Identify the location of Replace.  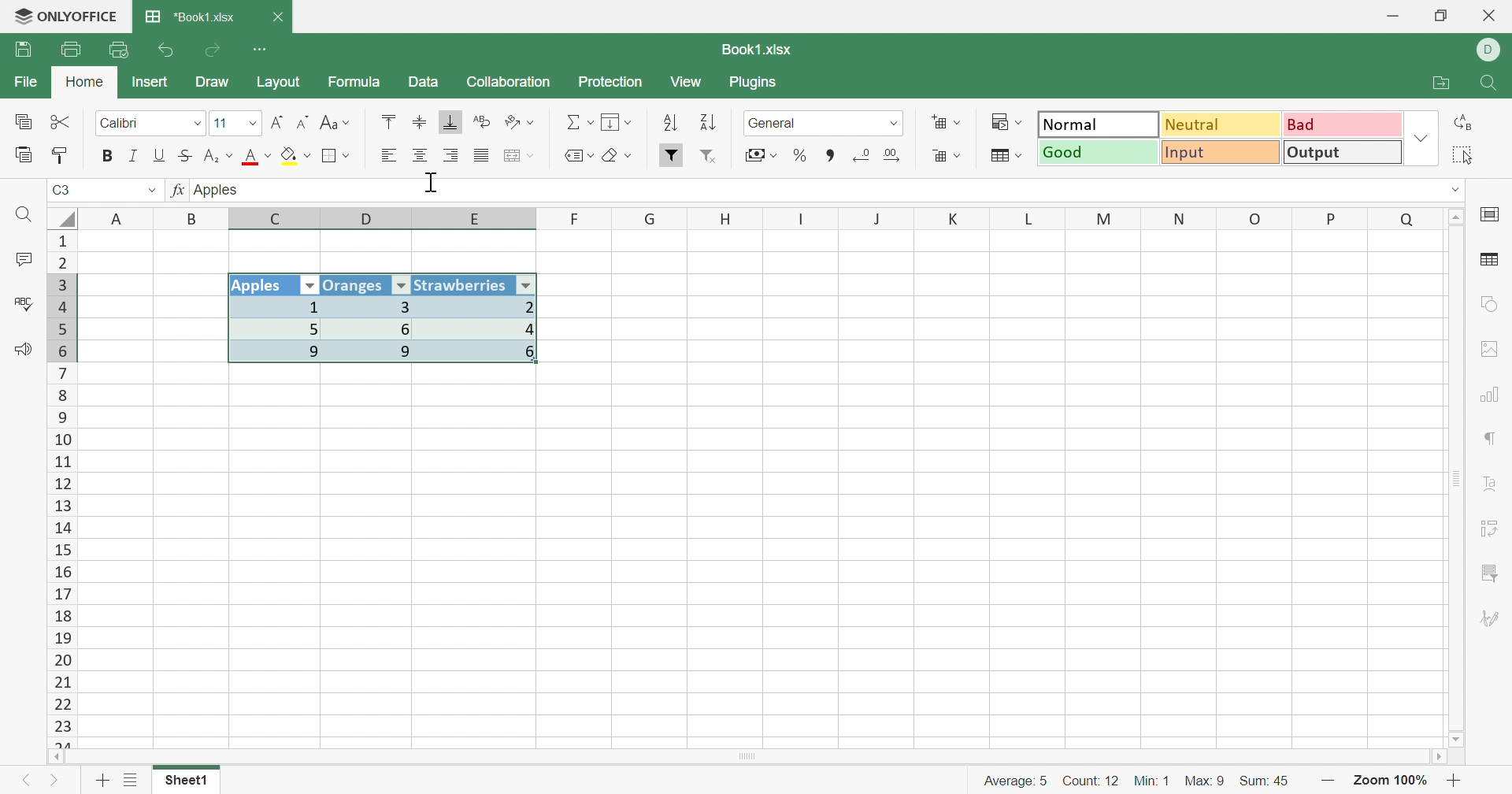
(1467, 122).